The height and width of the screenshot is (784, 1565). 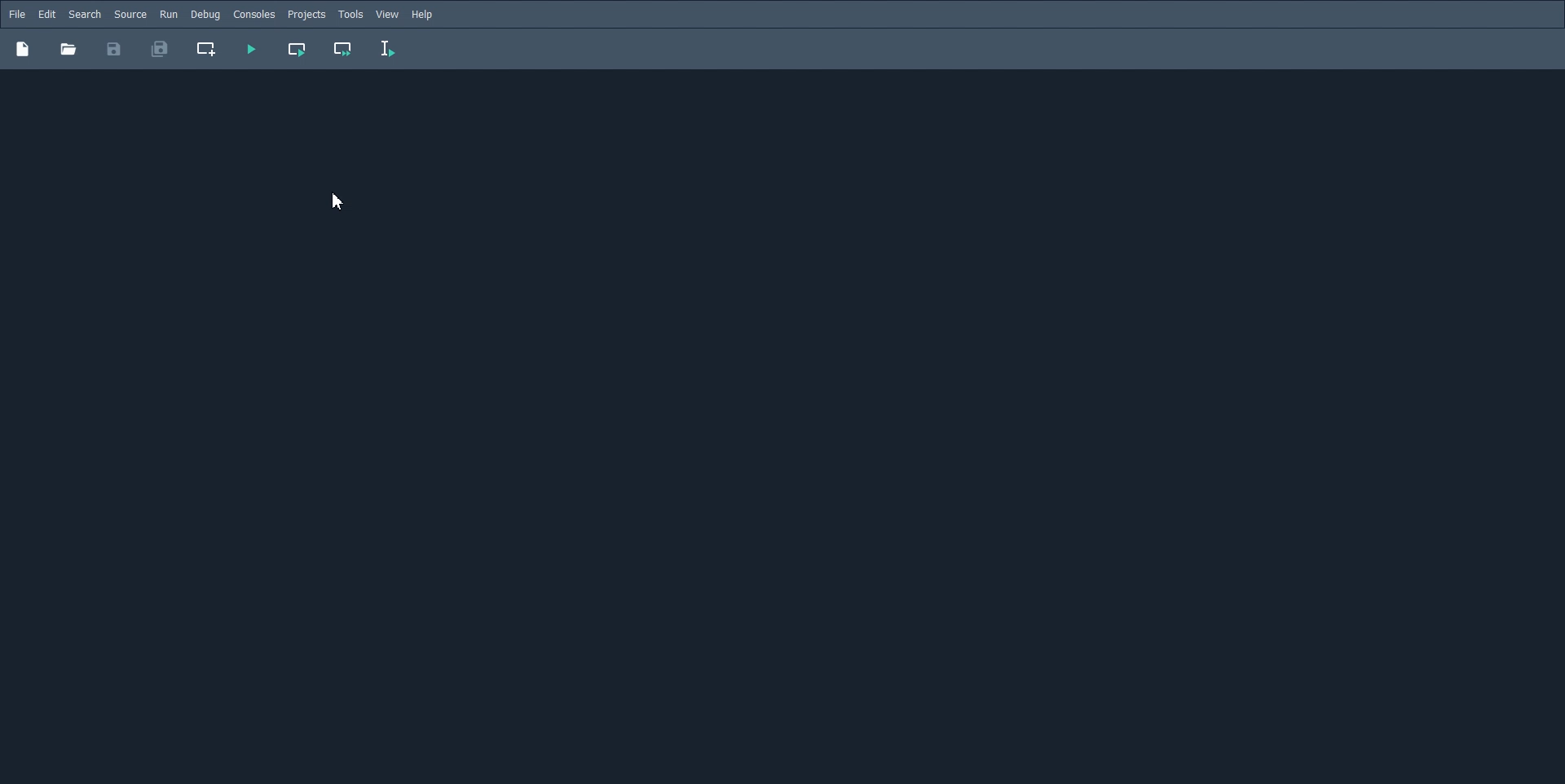 I want to click on Run Selection, so click(x=396, y=51).